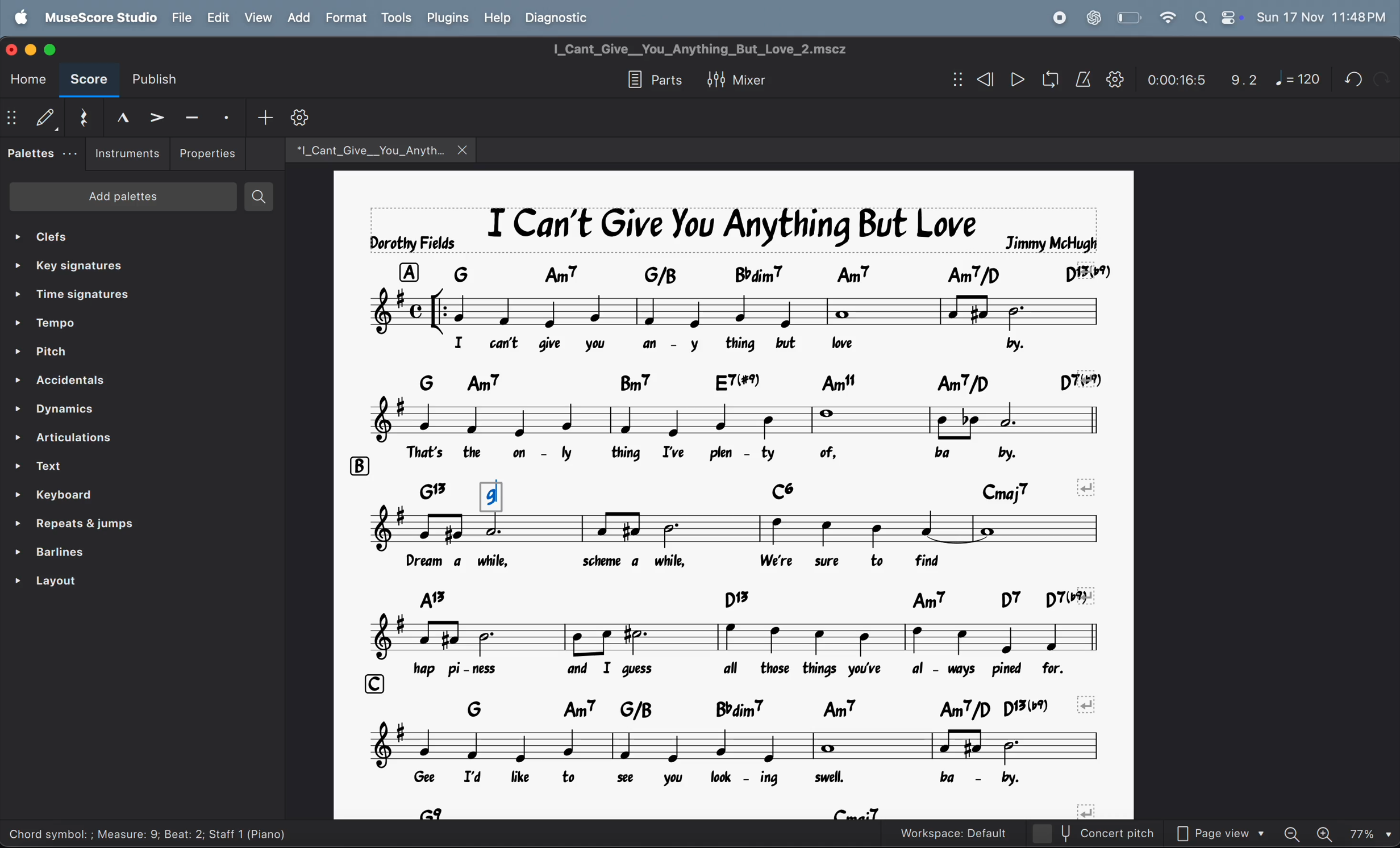 The height and width of the screenshot is (848, 1400). I want to click on pitch, so click(129, 354).